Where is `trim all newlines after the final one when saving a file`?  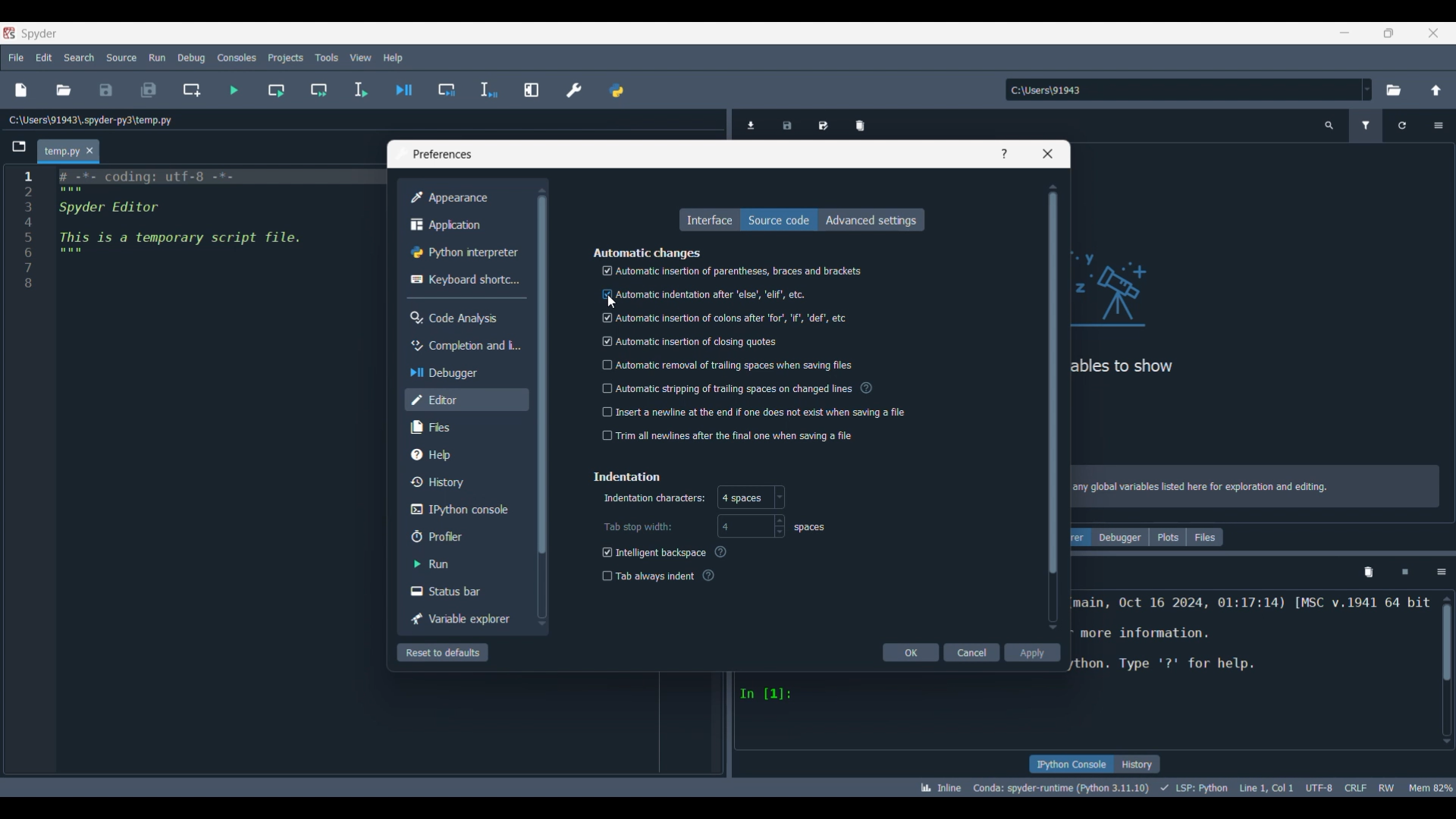
trim all newlines after the final one when saving a file is located at coordinates (730, 435).